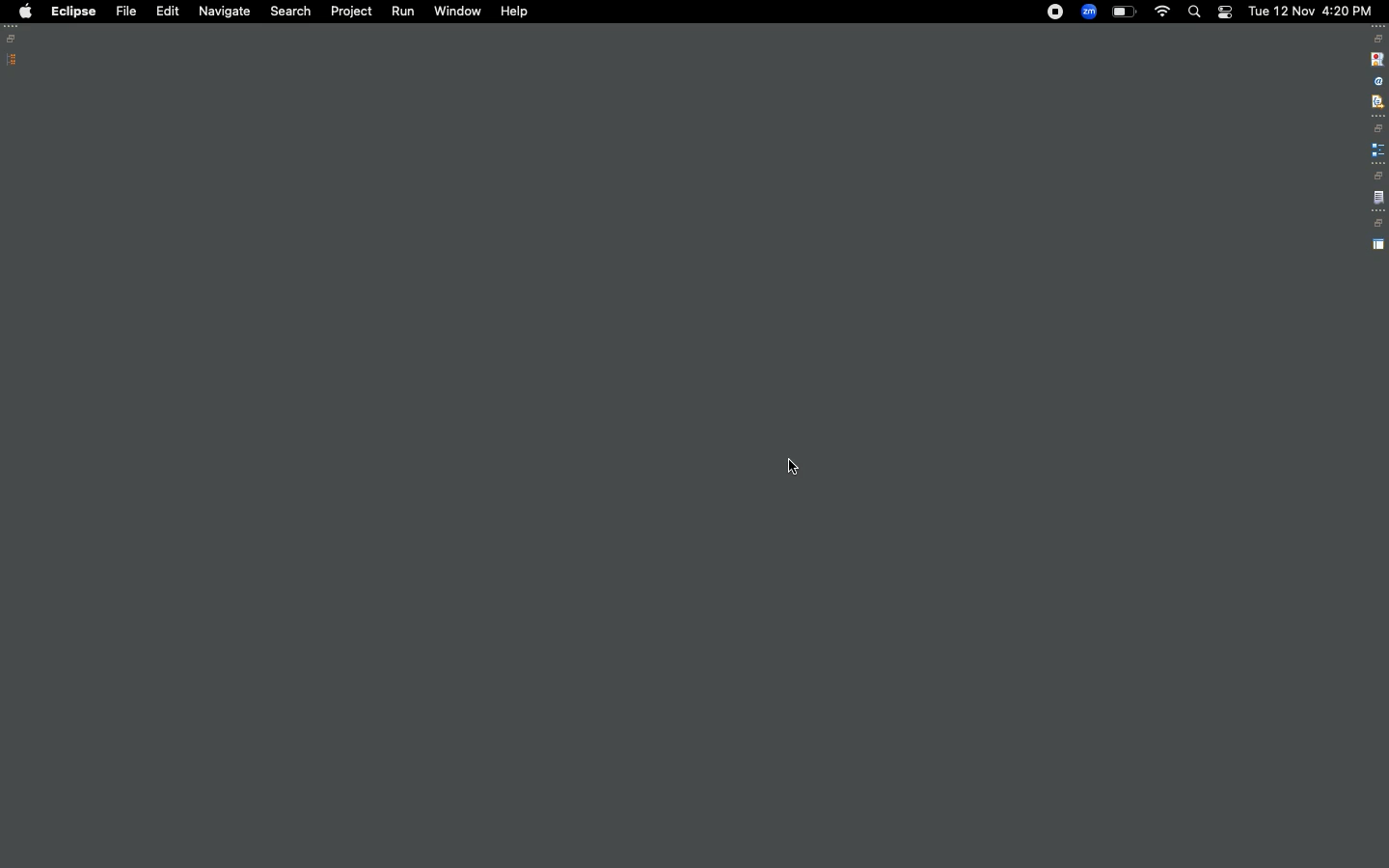 This screenshot has height=868, width=1389. What do you see at coordinates (14, 39) in the screenshot?
I see `Restore` at bounding box center [14, 39].